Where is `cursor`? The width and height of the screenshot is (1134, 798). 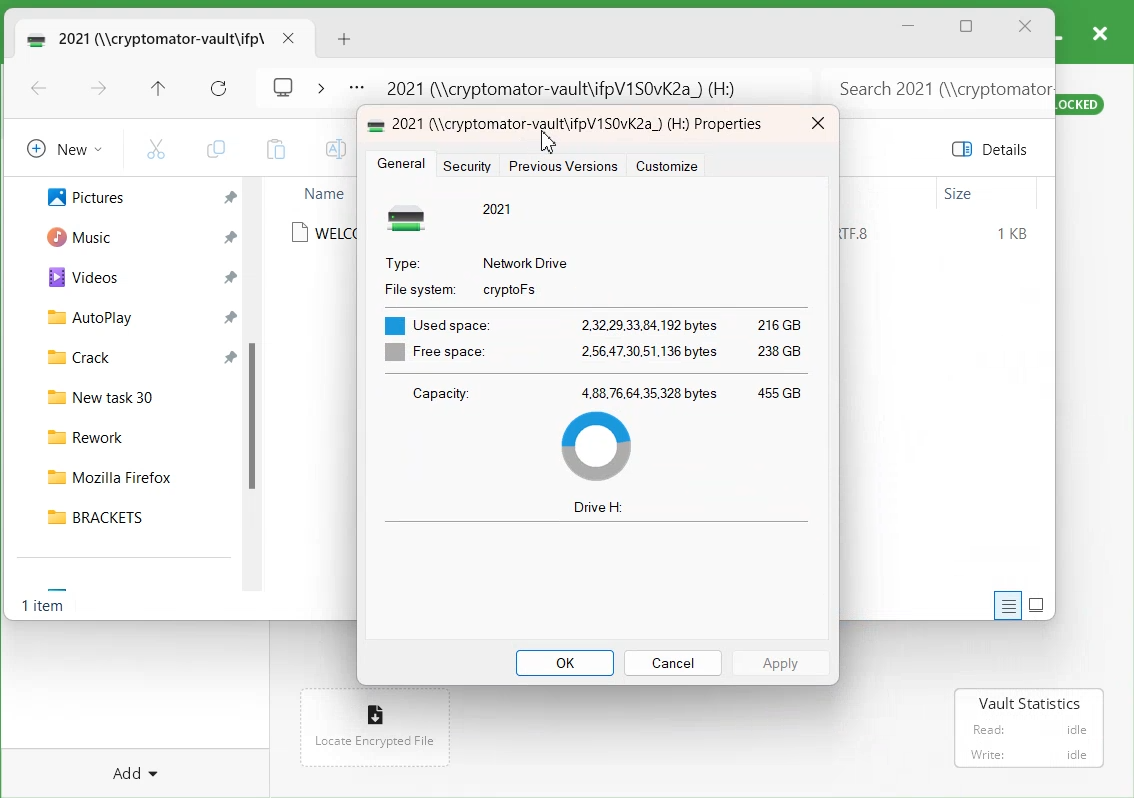
cursor is located at coordinates (551, 139).